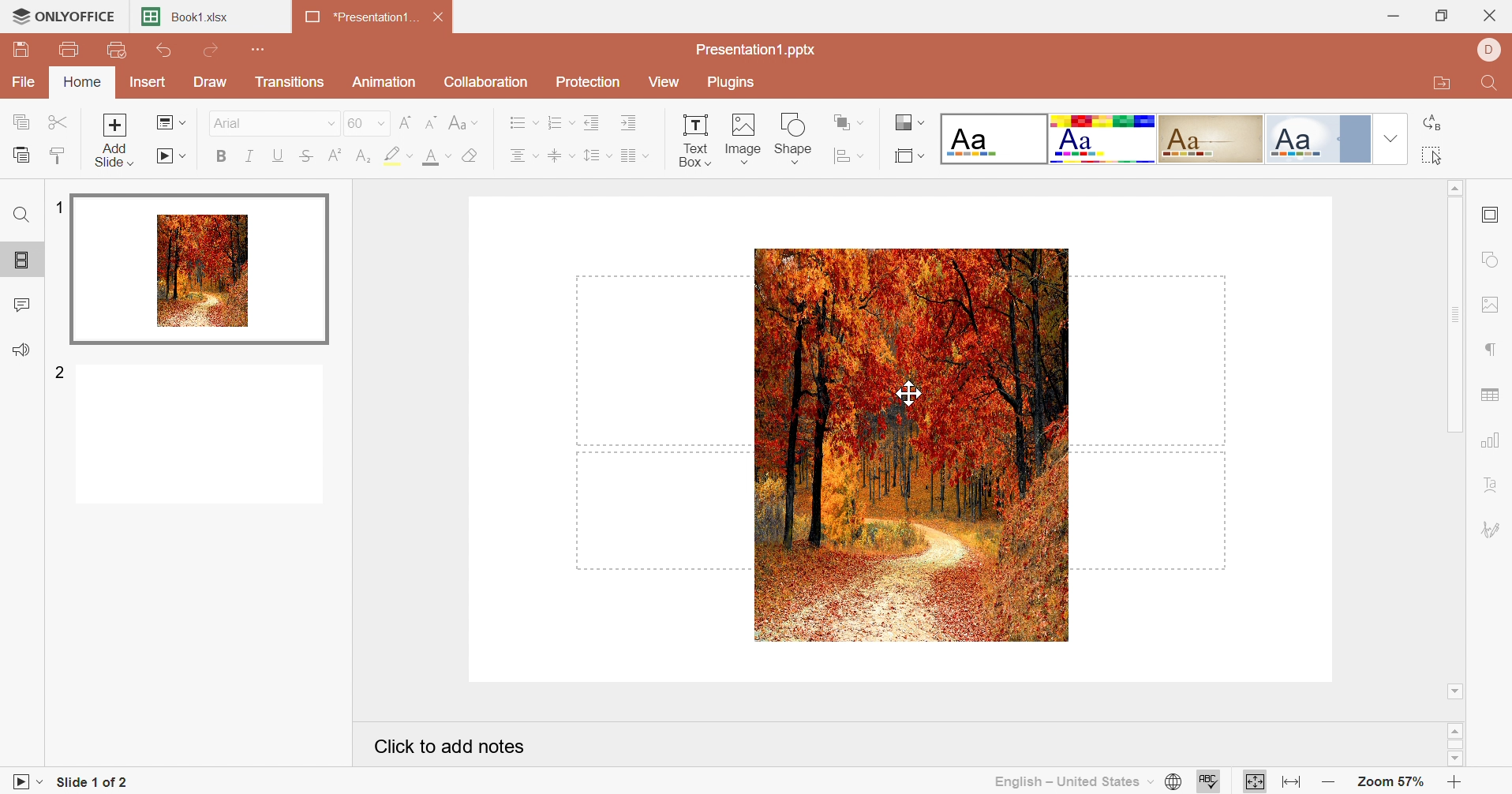  I want to click on Transitions, so click(291, 83).